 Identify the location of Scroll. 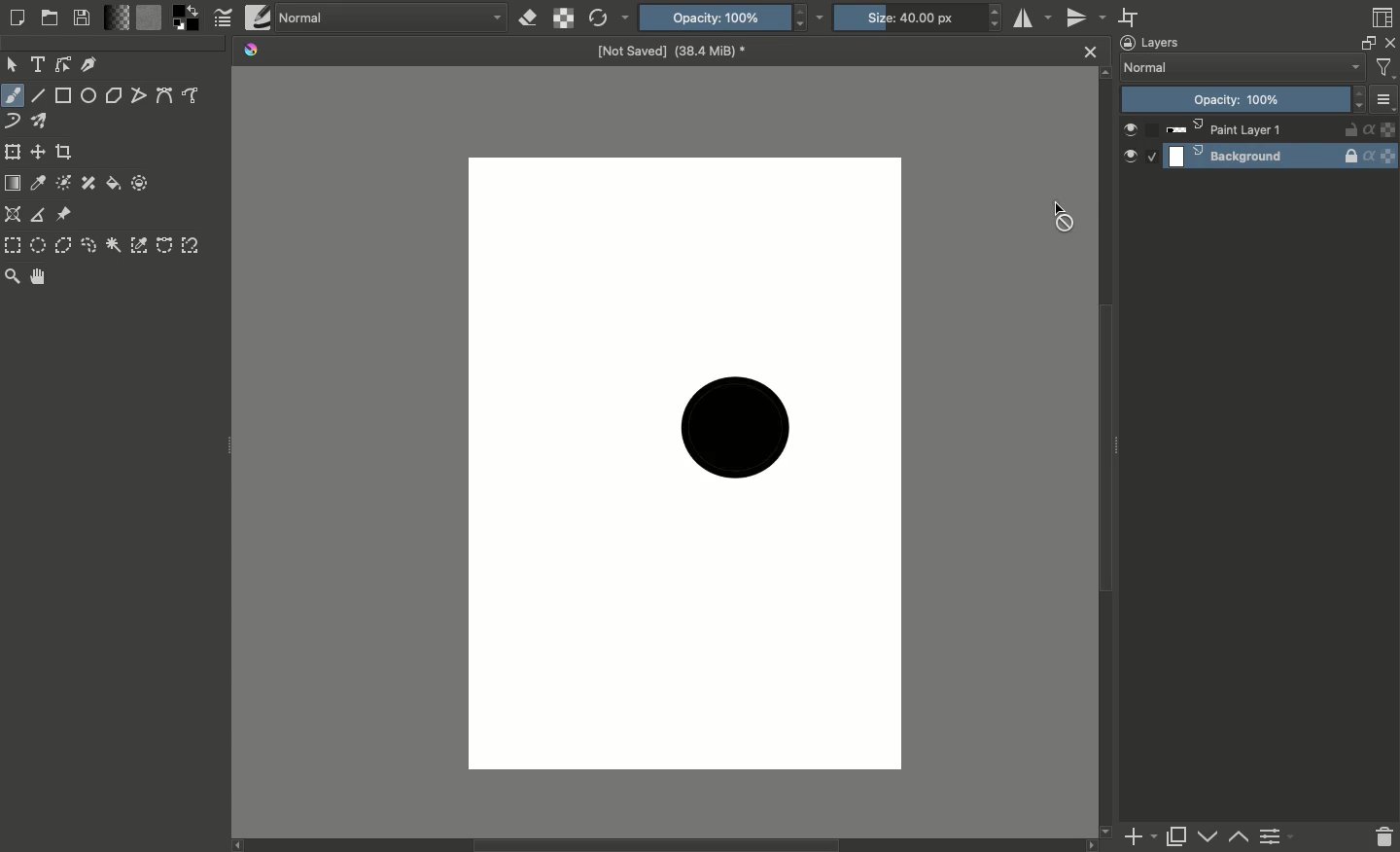
(1109, 452).